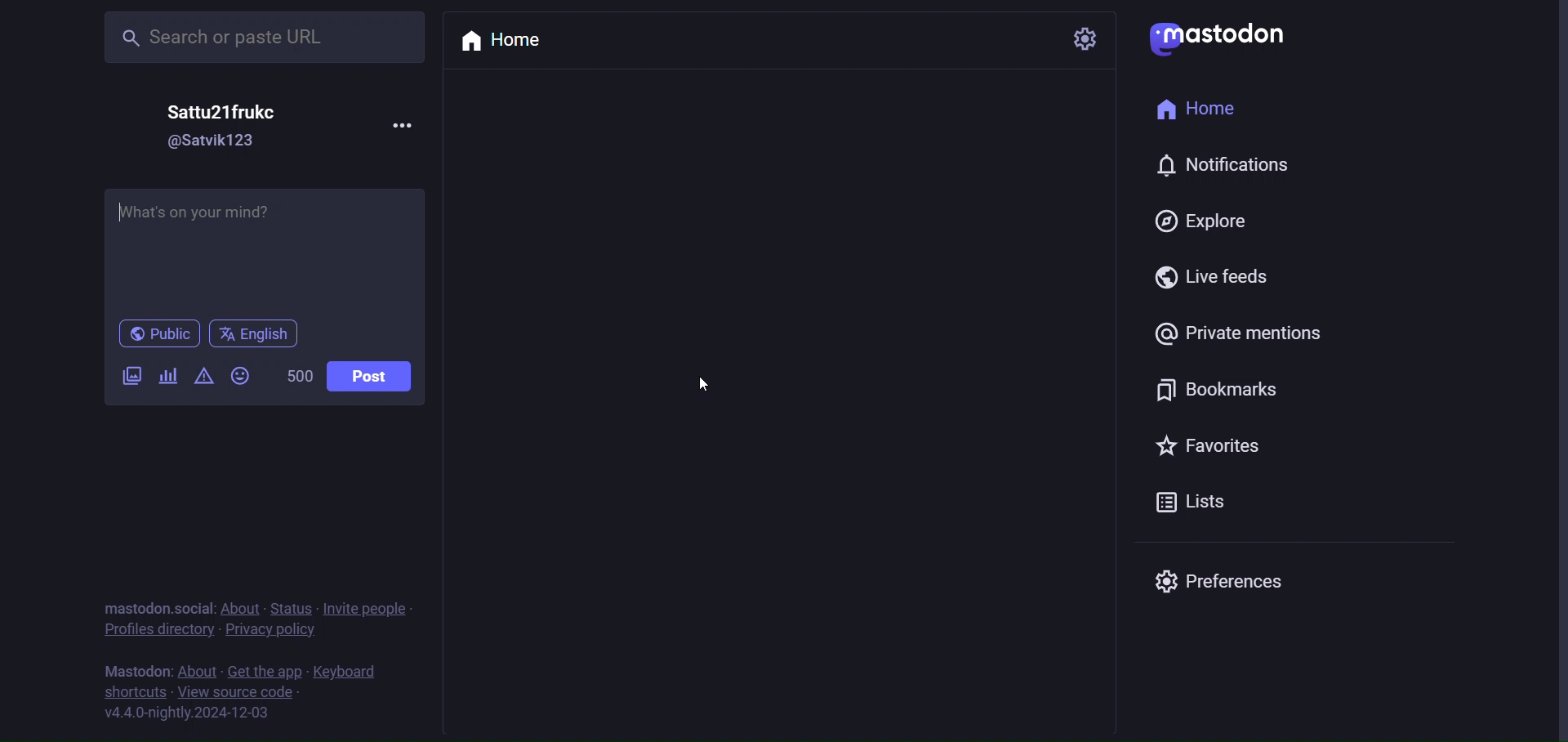 The height and width of the screenshot is (742, 1568). I want to click on poll, so click(164, 377).